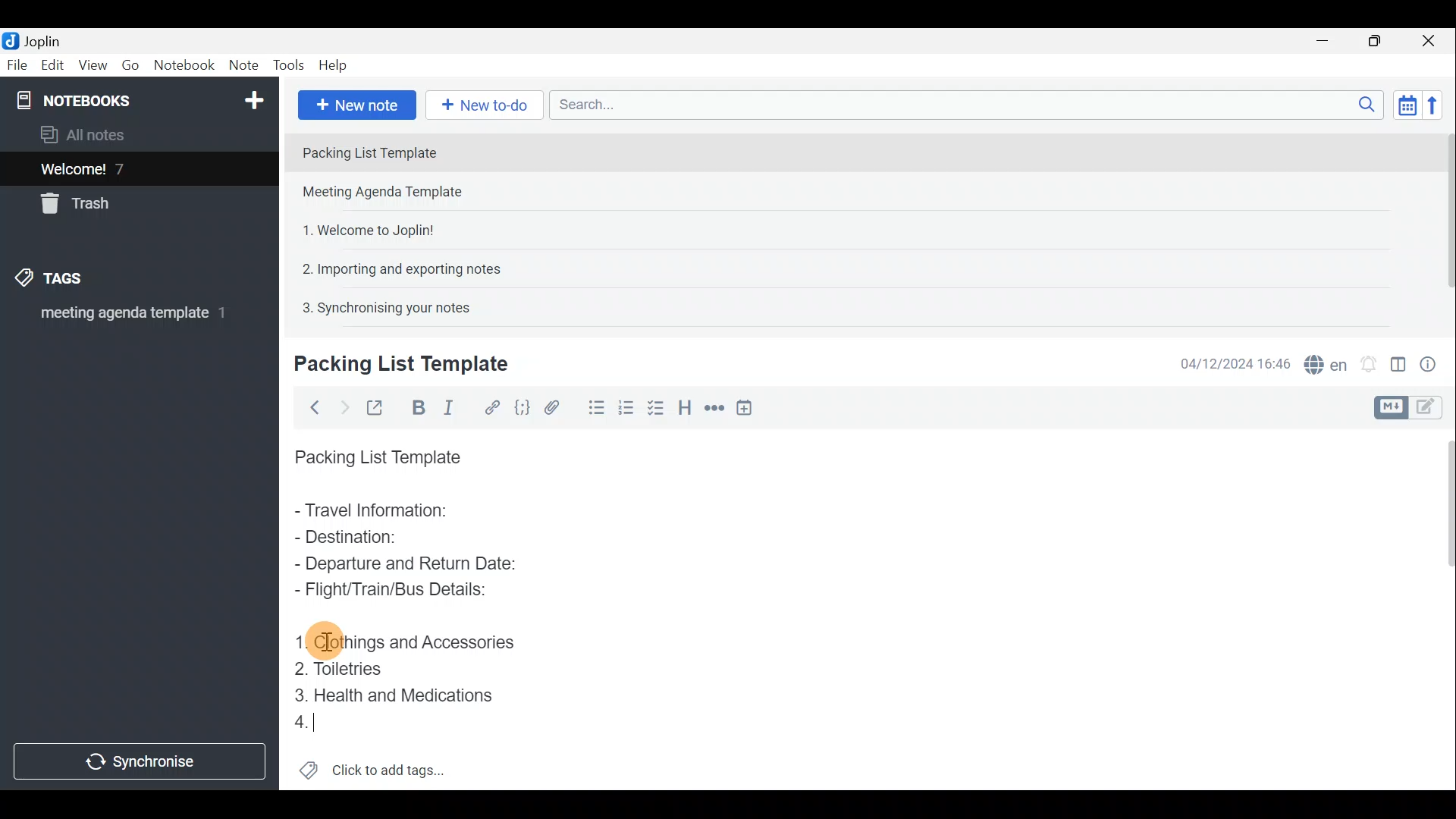 Image resolution: width=1456 pixels, height=819 pixels. What do you see at coordinates (522, 406) in the screenshot?
I see `Code` at bounding box center [522, 406].